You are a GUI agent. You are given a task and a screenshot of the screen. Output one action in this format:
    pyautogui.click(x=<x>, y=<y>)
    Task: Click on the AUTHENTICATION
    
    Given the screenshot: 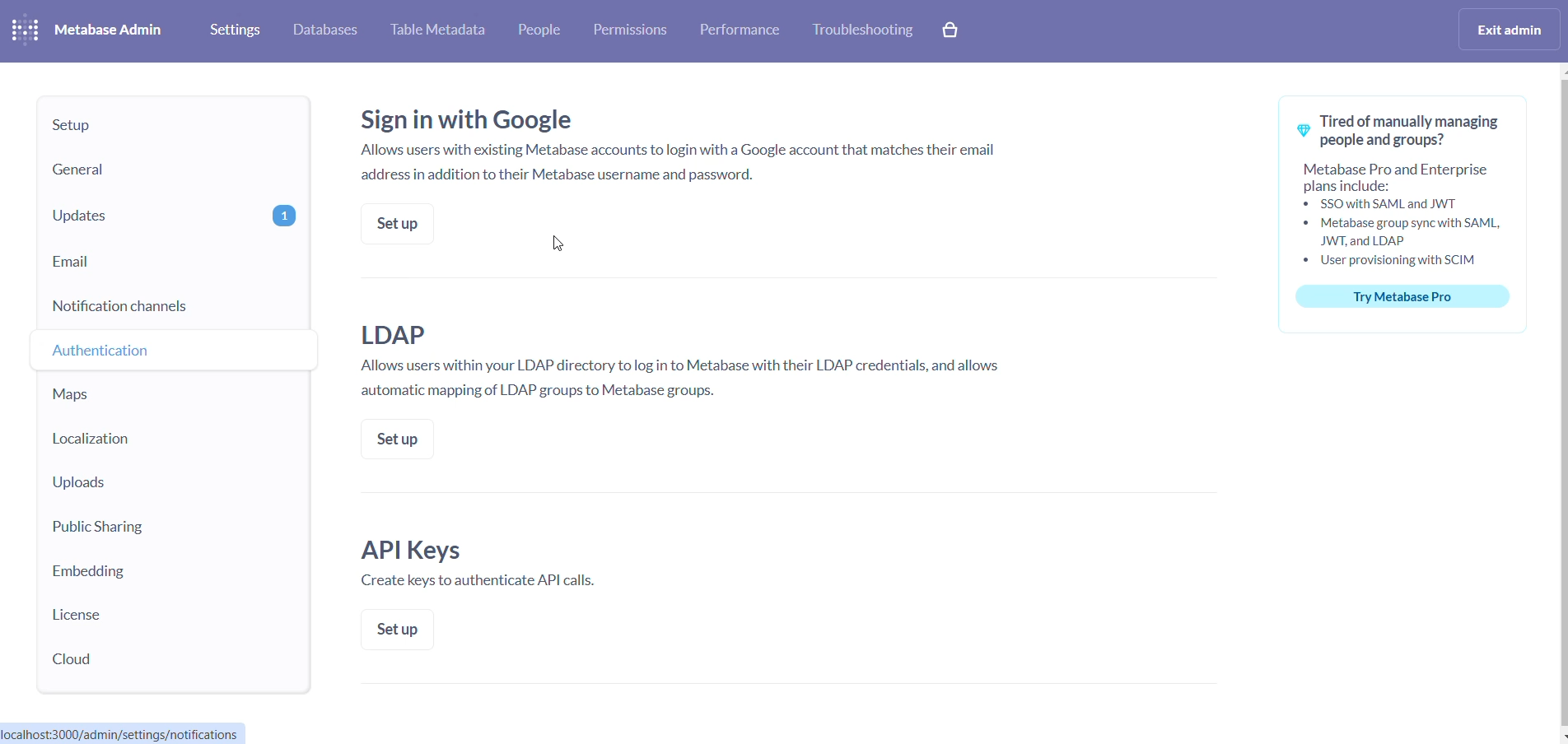 What is the action you would take?
    pyautogui.click(x=166, y=353)
    